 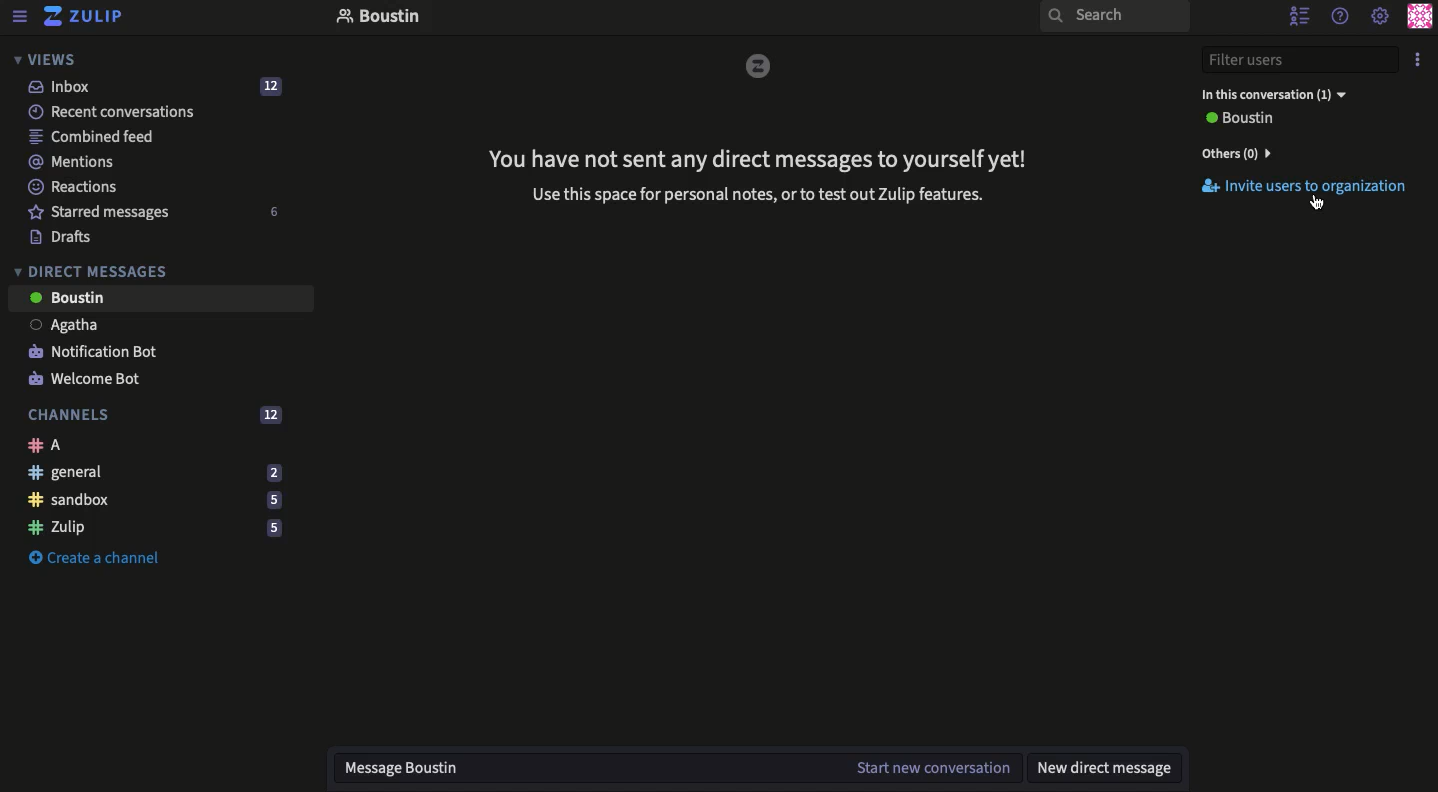 I want to click on Search , so click(x=1114, y=16).